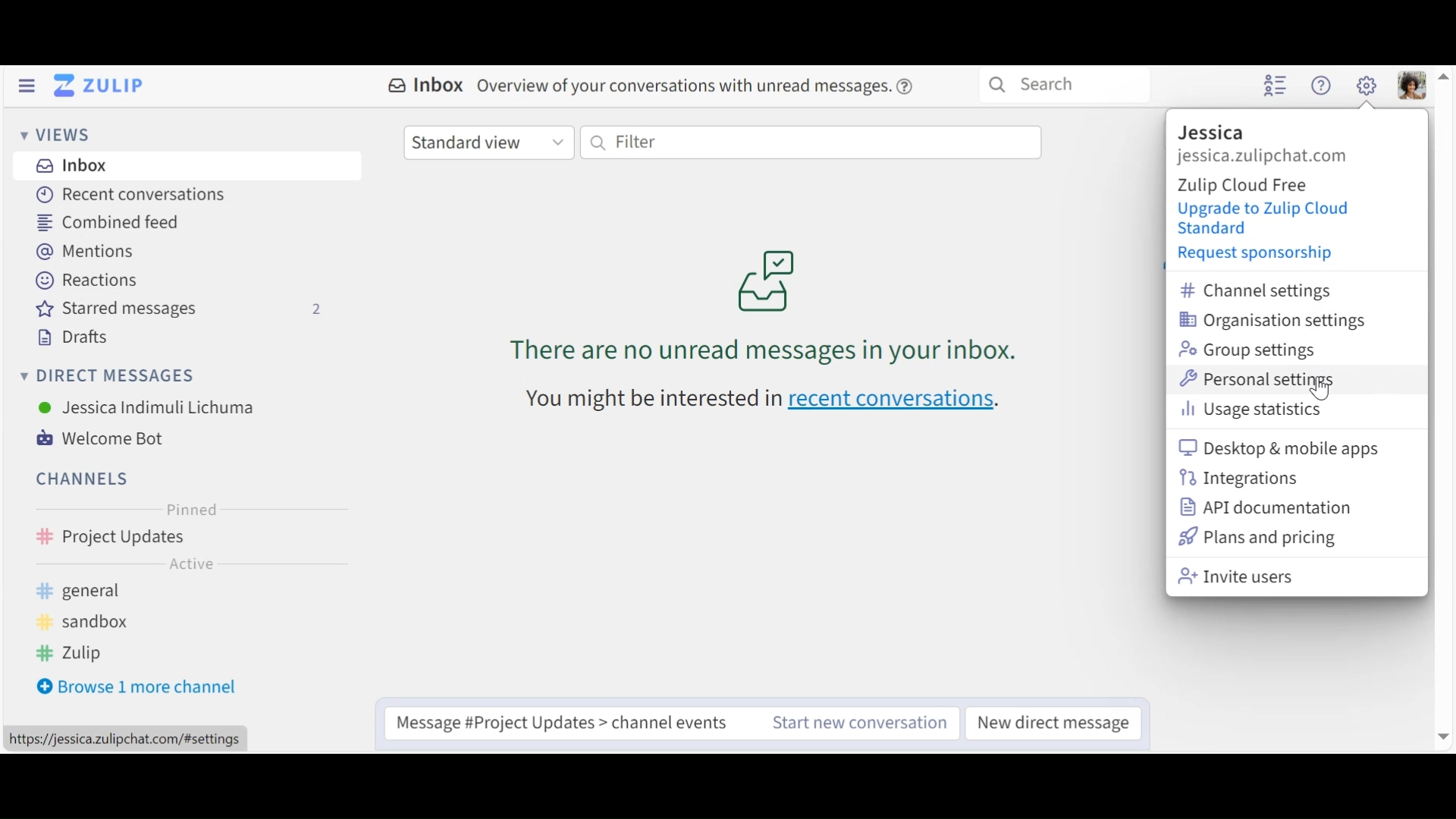 This screenshot has width=1456, height=819. I want to click on Drafts, so click(67, 337).